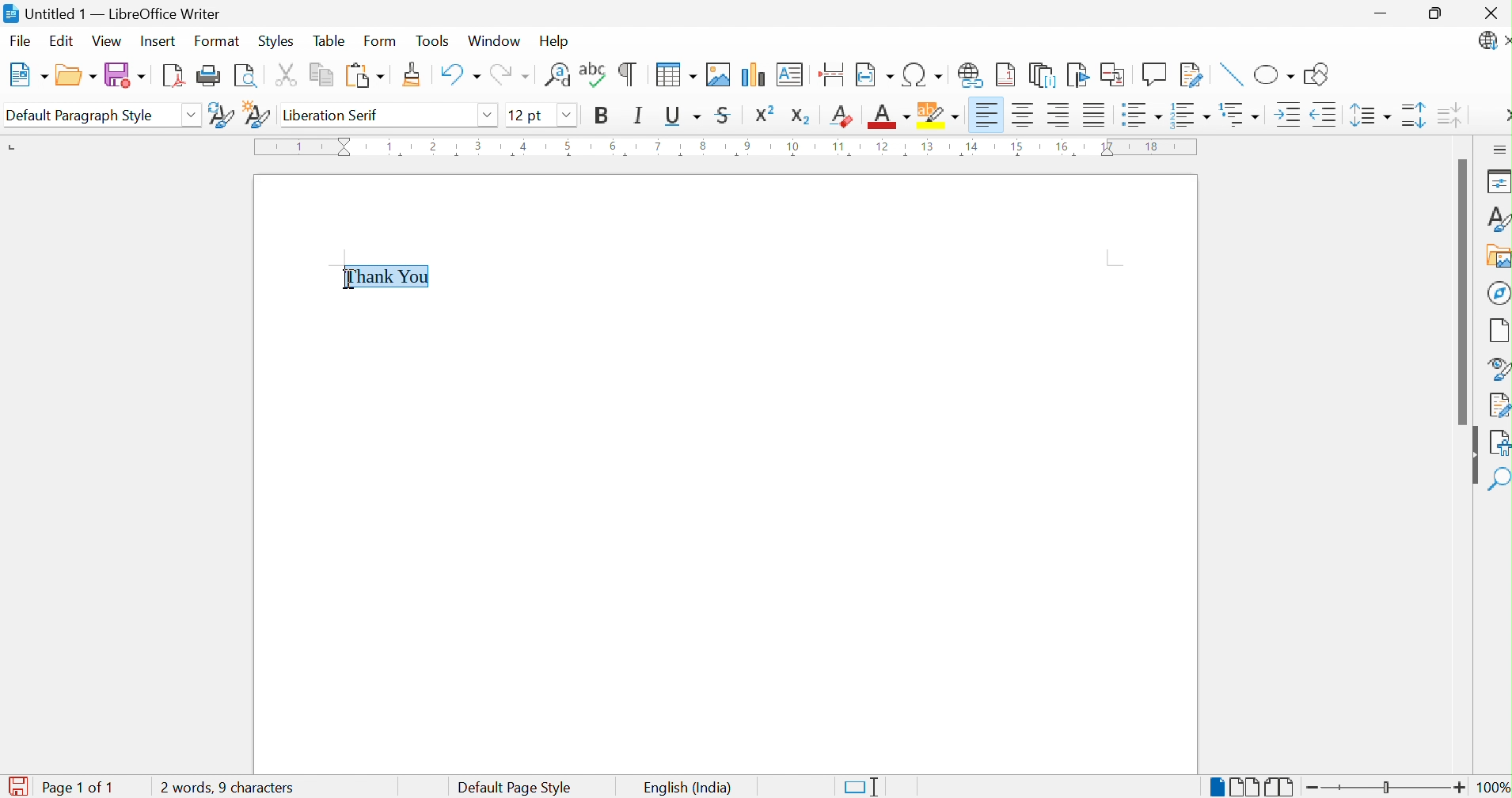 The height and width of the screenshot is (798, 1512). Describe the element at coordinates (319, 74) in the screenshot. I see `Copy` at that location.